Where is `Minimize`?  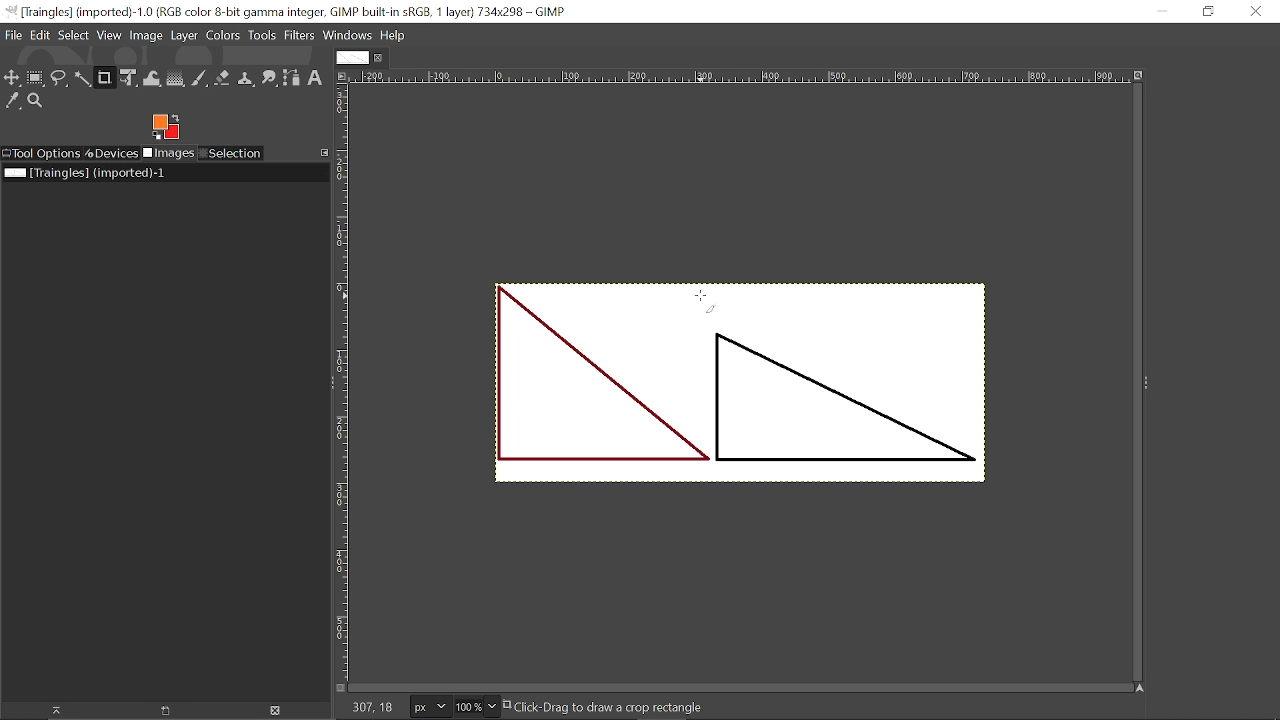
Minimize is located at coordinates (1170, 11).